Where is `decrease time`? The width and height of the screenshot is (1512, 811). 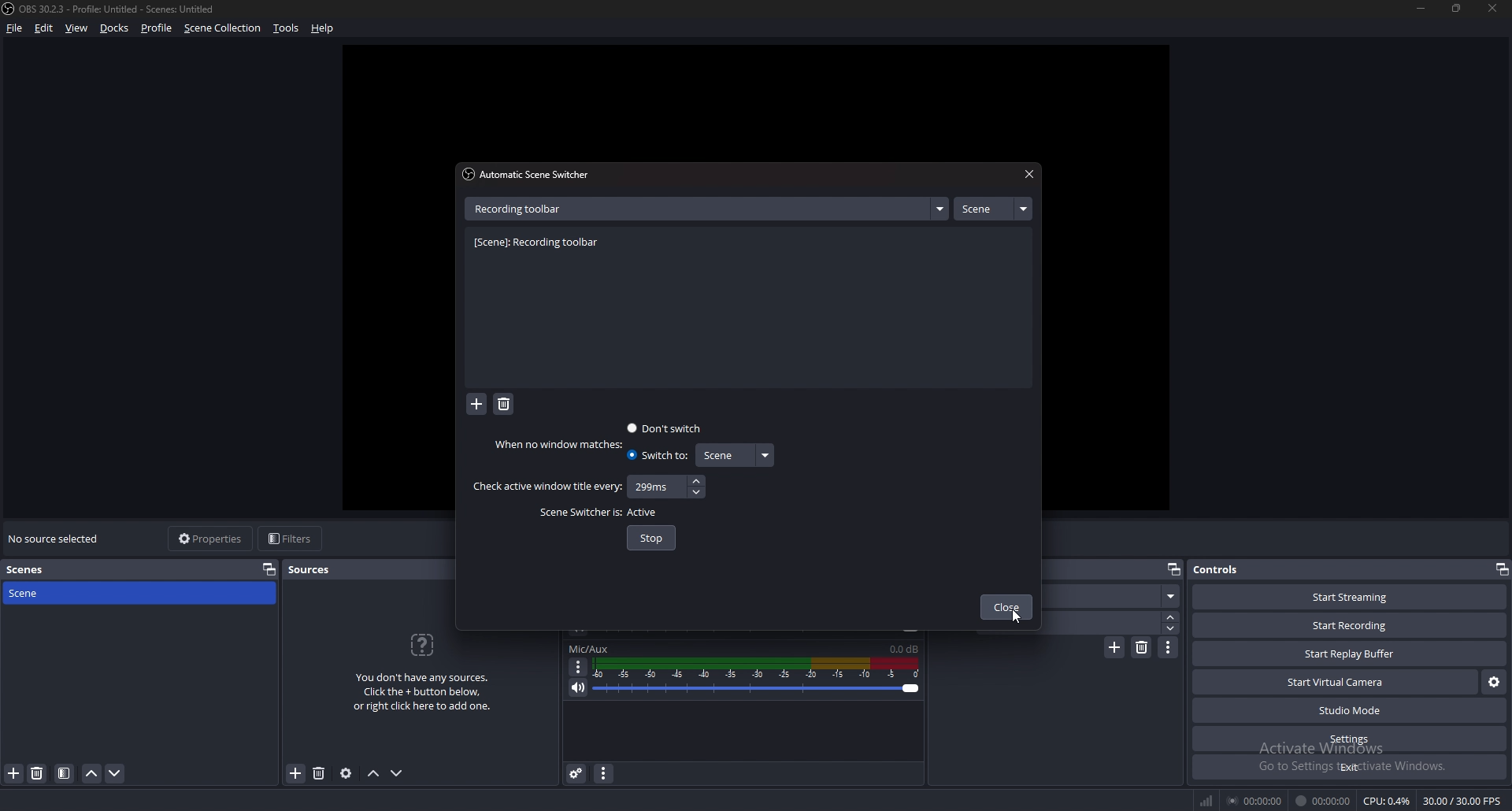 decrease time is located at coordinates (699, 491).